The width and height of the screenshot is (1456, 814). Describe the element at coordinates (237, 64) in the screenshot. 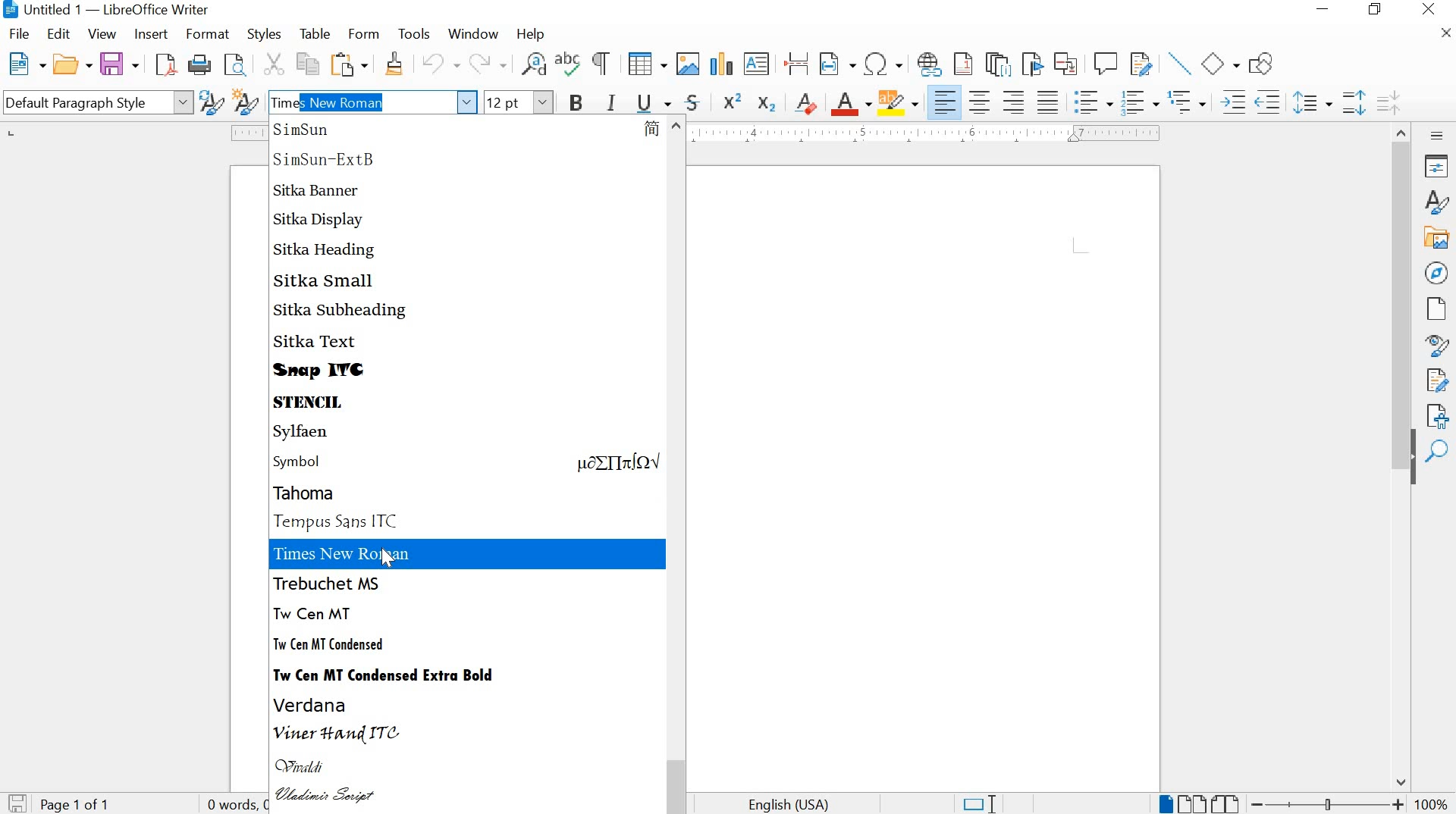

I see `TOGGLE PRINT PREVIEW` at that location.